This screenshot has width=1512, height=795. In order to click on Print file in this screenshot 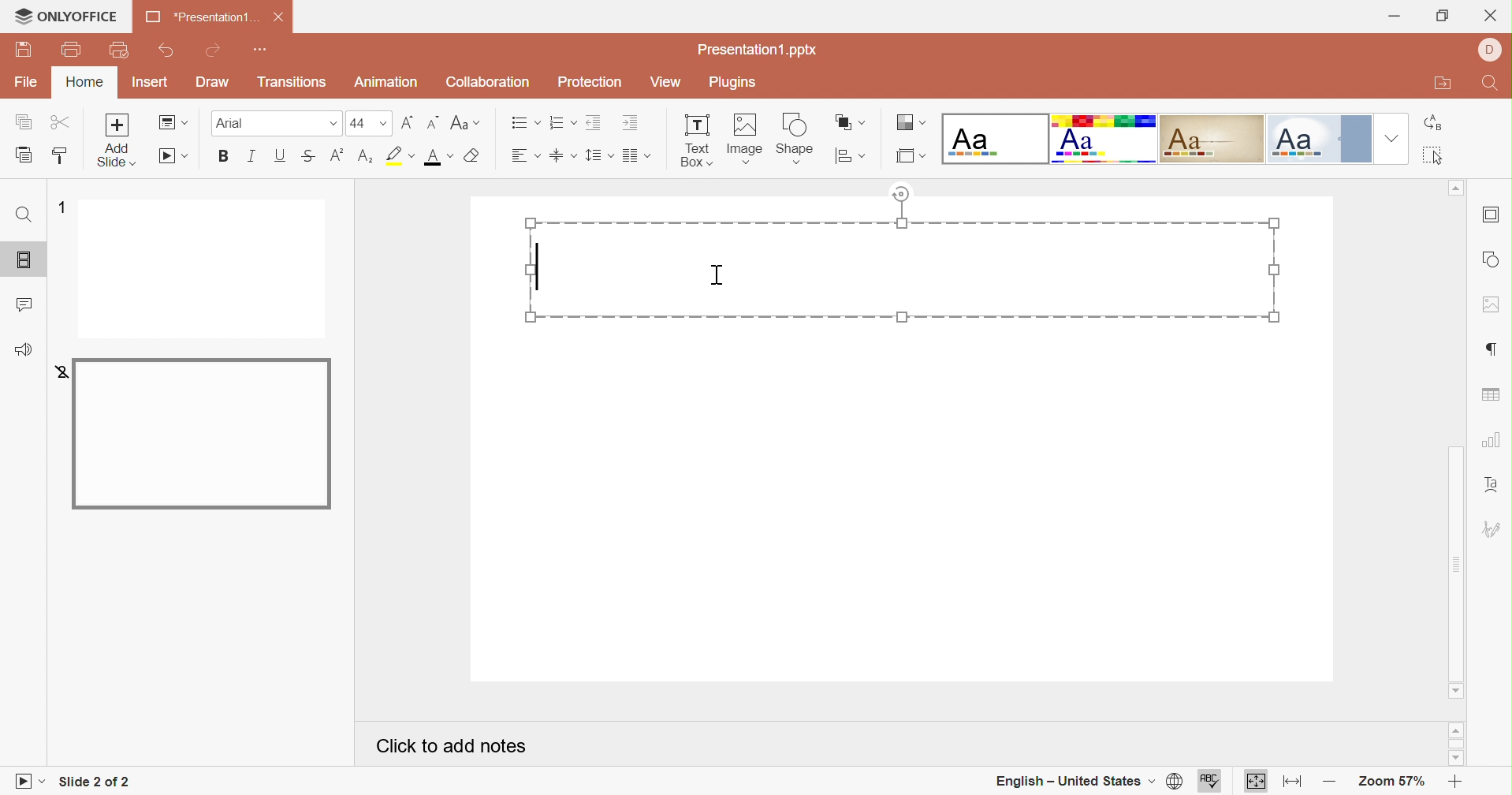, I will do `click(73, 50)`.